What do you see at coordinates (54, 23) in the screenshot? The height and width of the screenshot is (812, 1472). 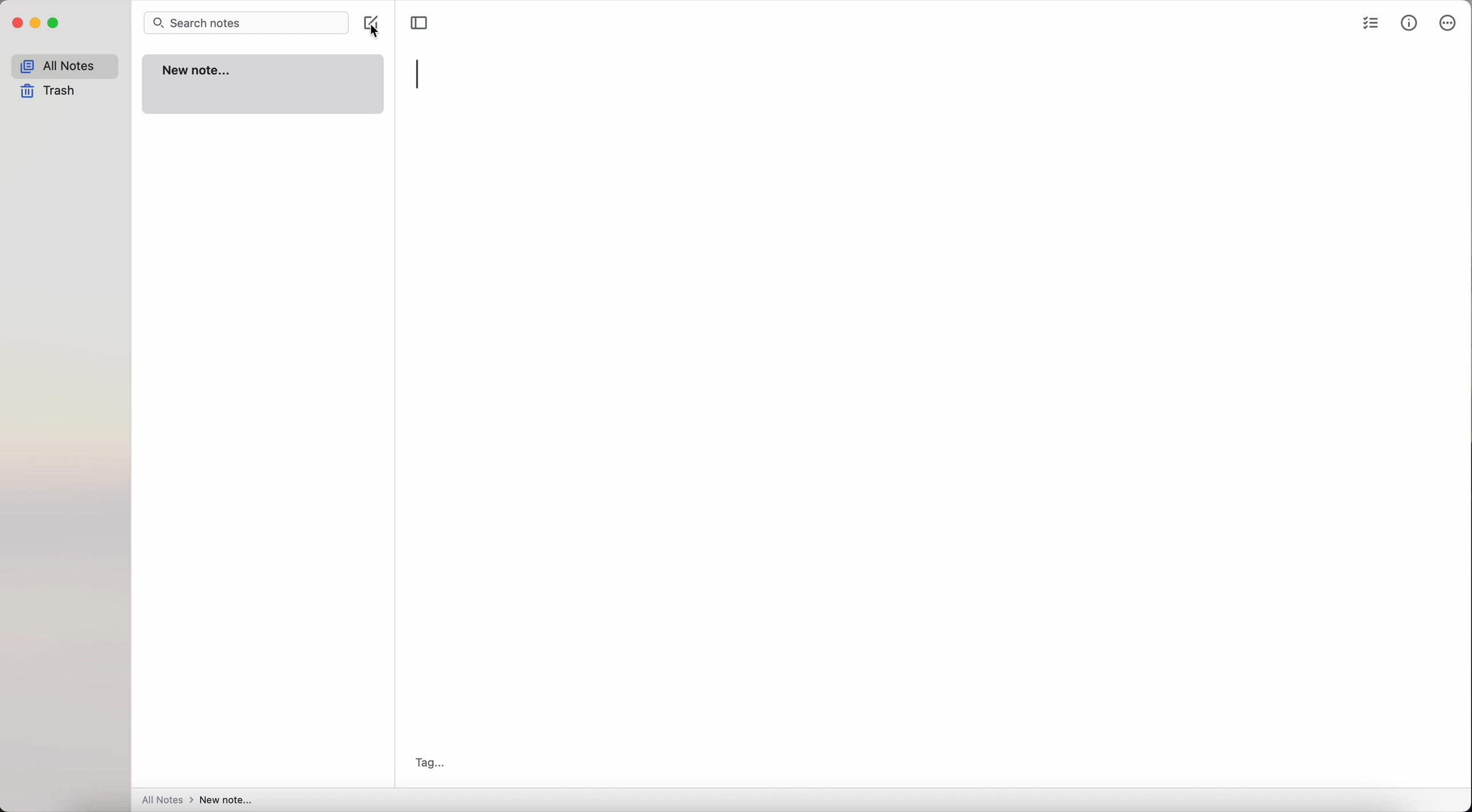 I see `maximize app` at bounding box center [54, 23].